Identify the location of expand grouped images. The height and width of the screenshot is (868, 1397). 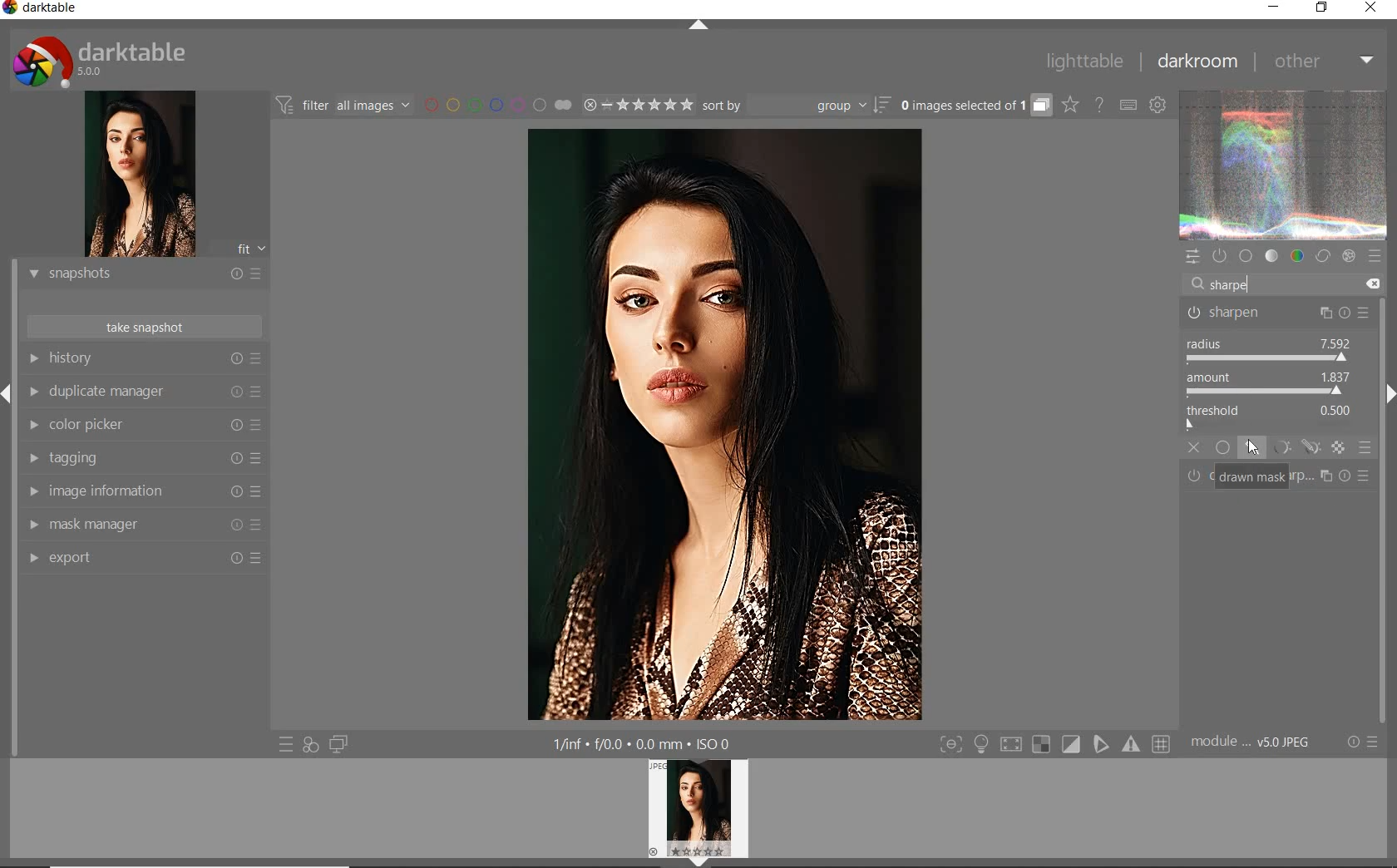
(975, 106).